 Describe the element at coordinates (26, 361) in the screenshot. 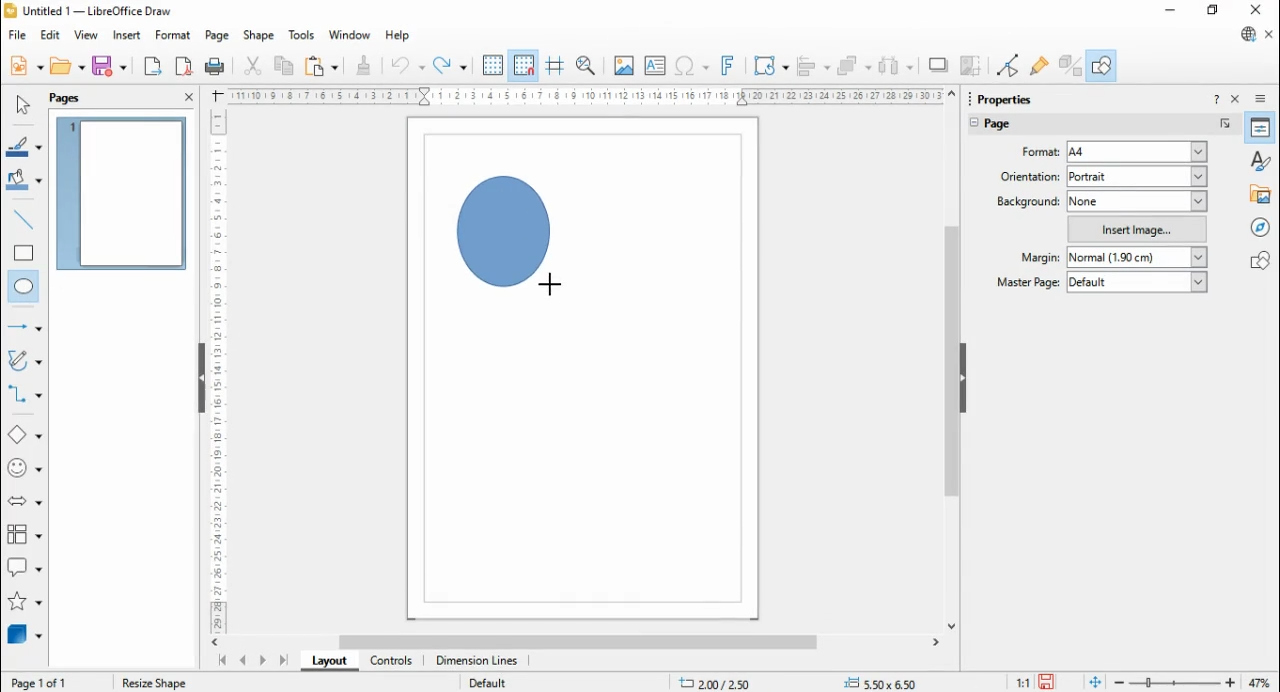

I see `curves and polygons` at that location.